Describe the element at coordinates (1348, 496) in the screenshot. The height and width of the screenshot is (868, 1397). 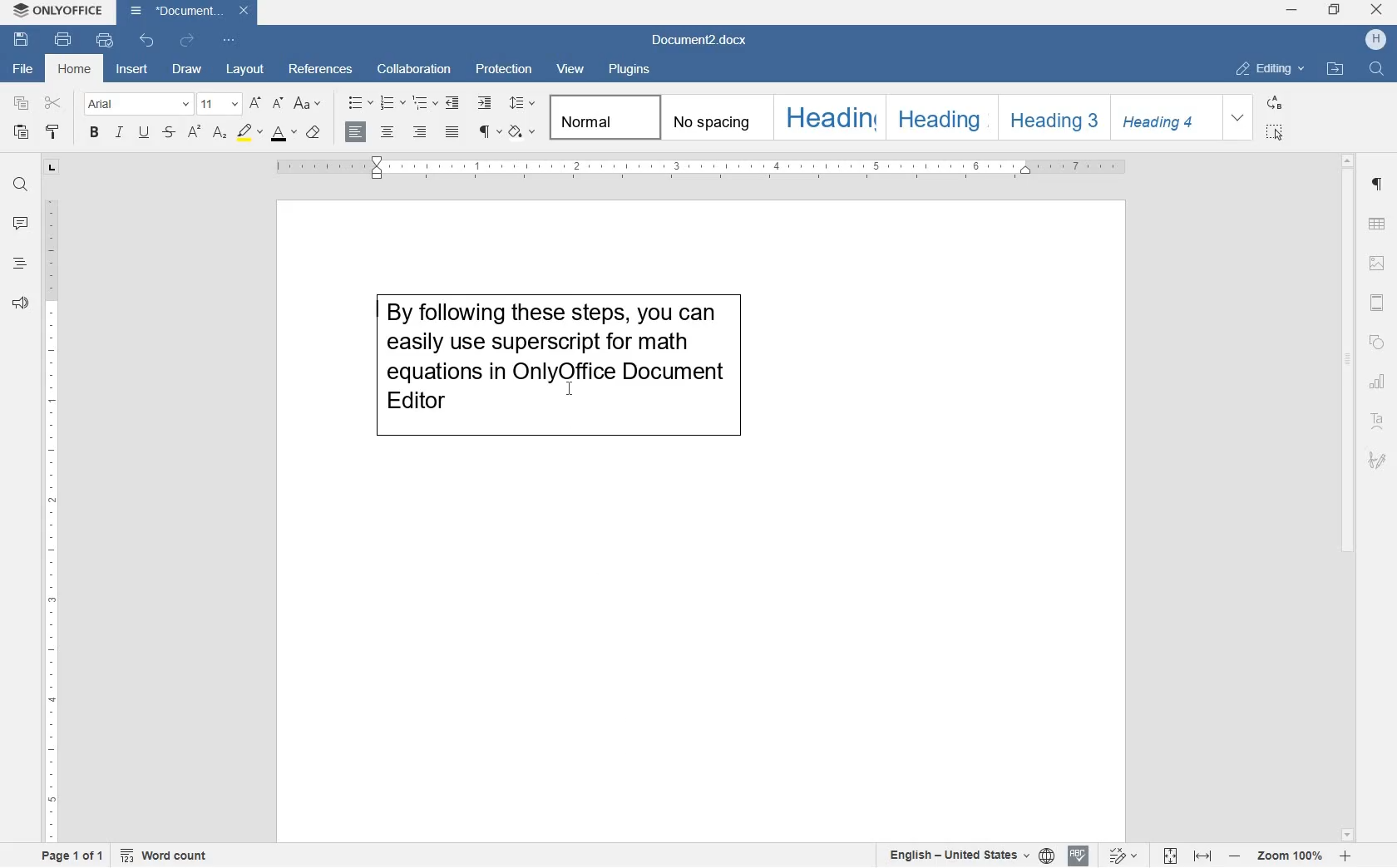
I see `scrollbar` at that location.